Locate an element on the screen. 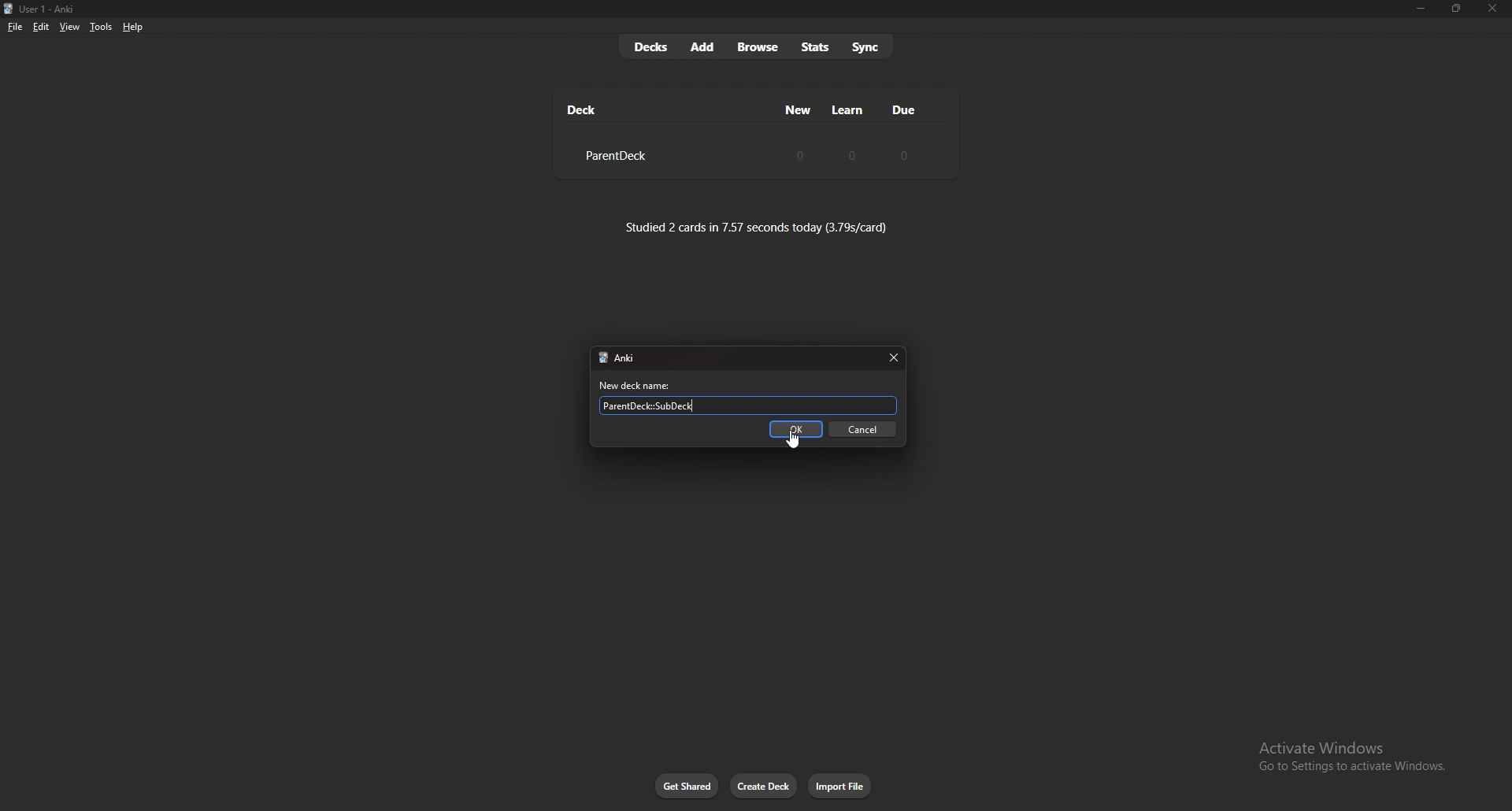 The image size is (1512, 811). new deck name is located at coordinates (639, 386).